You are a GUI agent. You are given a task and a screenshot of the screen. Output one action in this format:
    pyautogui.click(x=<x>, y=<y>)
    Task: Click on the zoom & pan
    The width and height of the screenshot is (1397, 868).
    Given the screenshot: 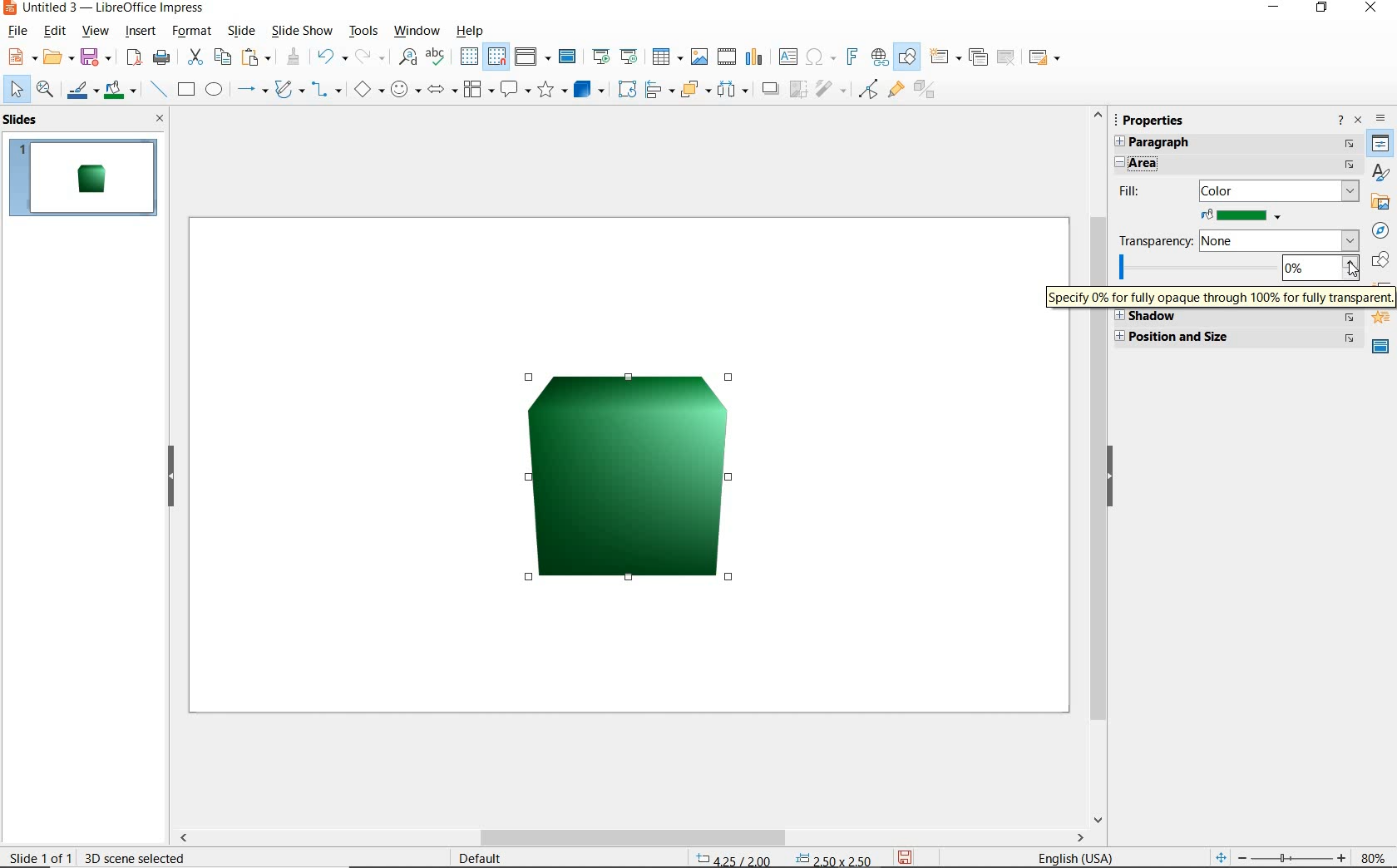 What is the action you would take?
    pyautogui.click(x=45, y=91)
    